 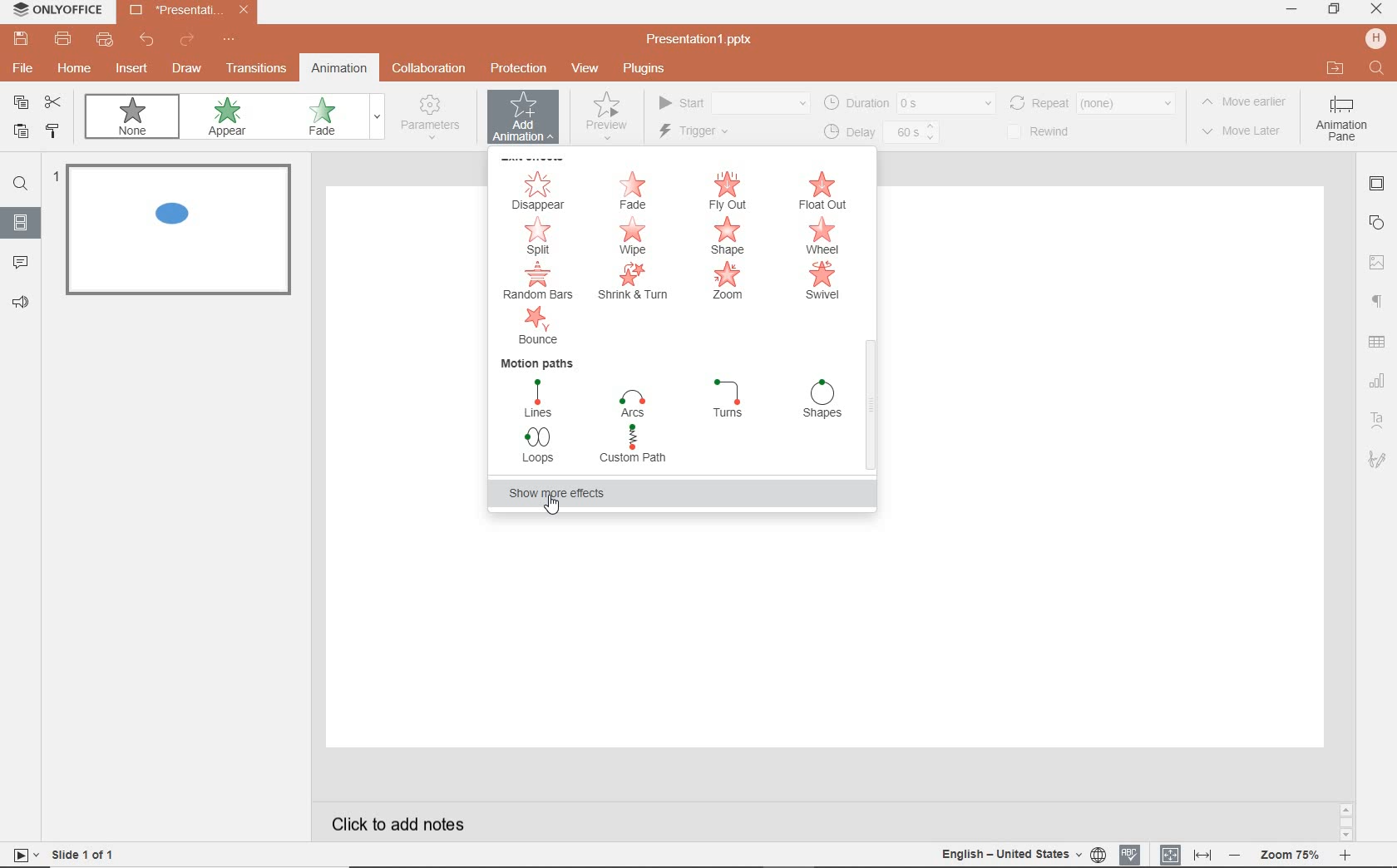 I want to click on file, so click(x=21, y=71).